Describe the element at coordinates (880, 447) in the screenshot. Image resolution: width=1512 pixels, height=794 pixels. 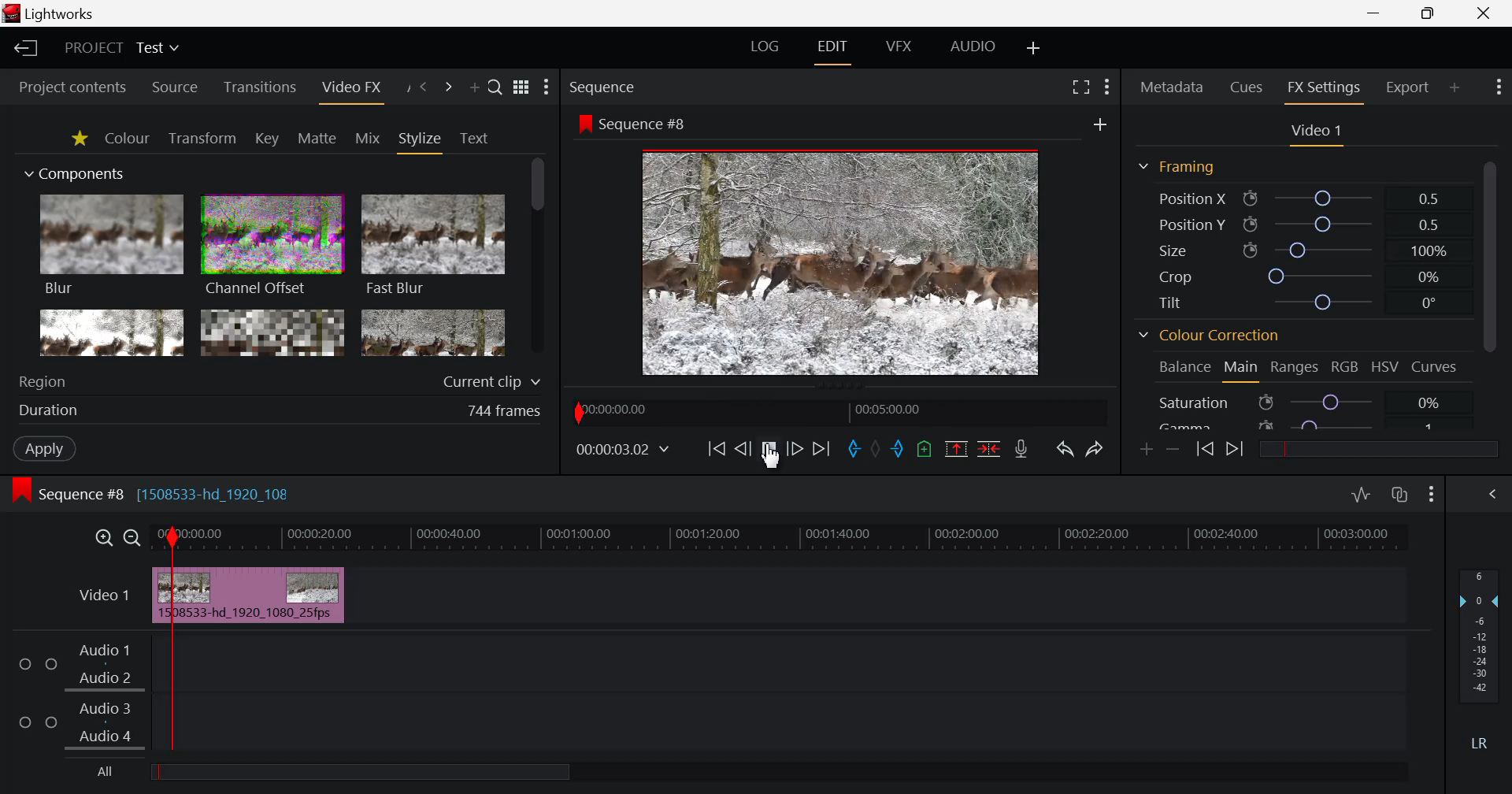
I see `Remove all marks` at that location.